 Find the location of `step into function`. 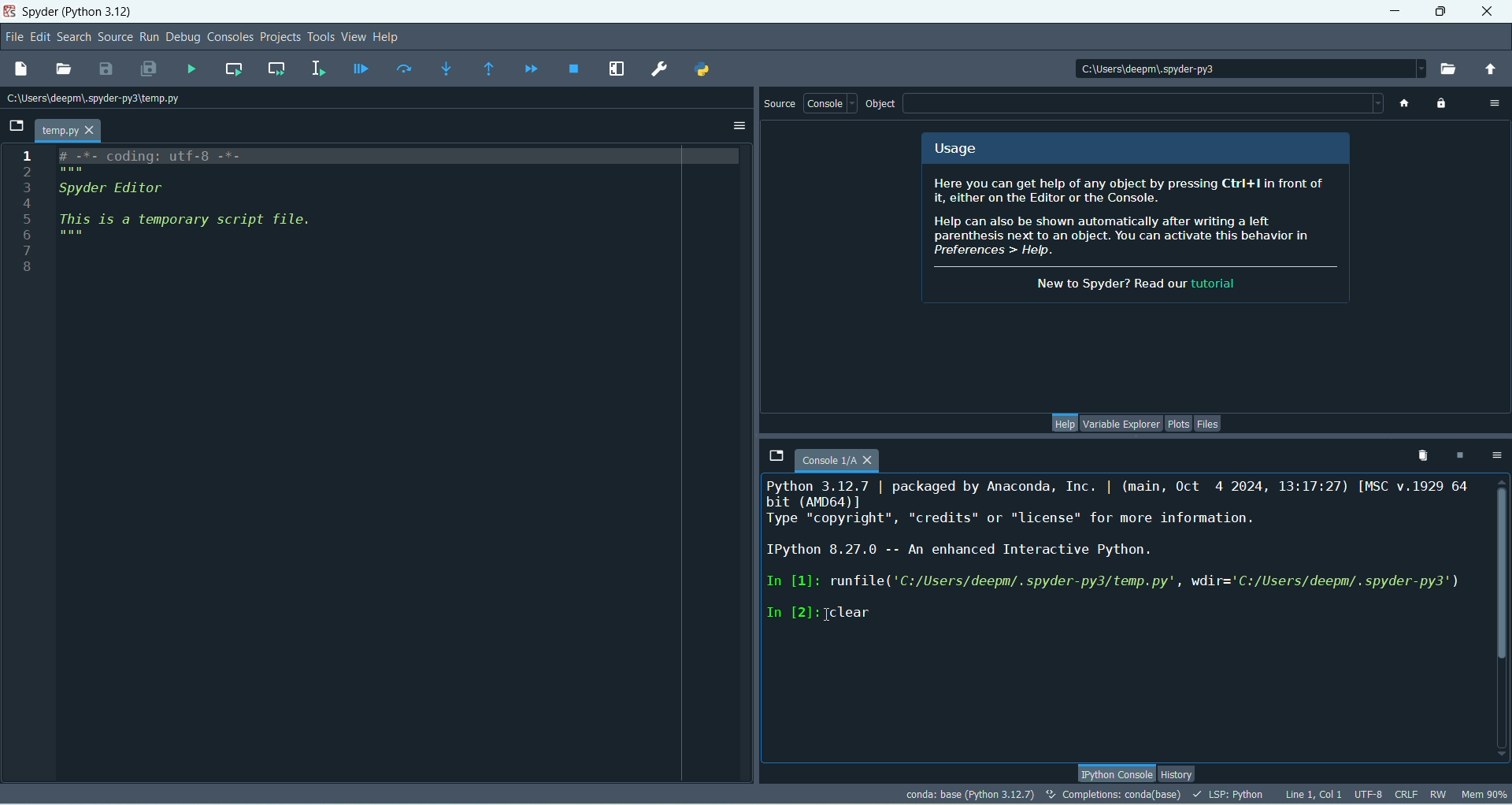

step into function is located at coordinates (447, 69).